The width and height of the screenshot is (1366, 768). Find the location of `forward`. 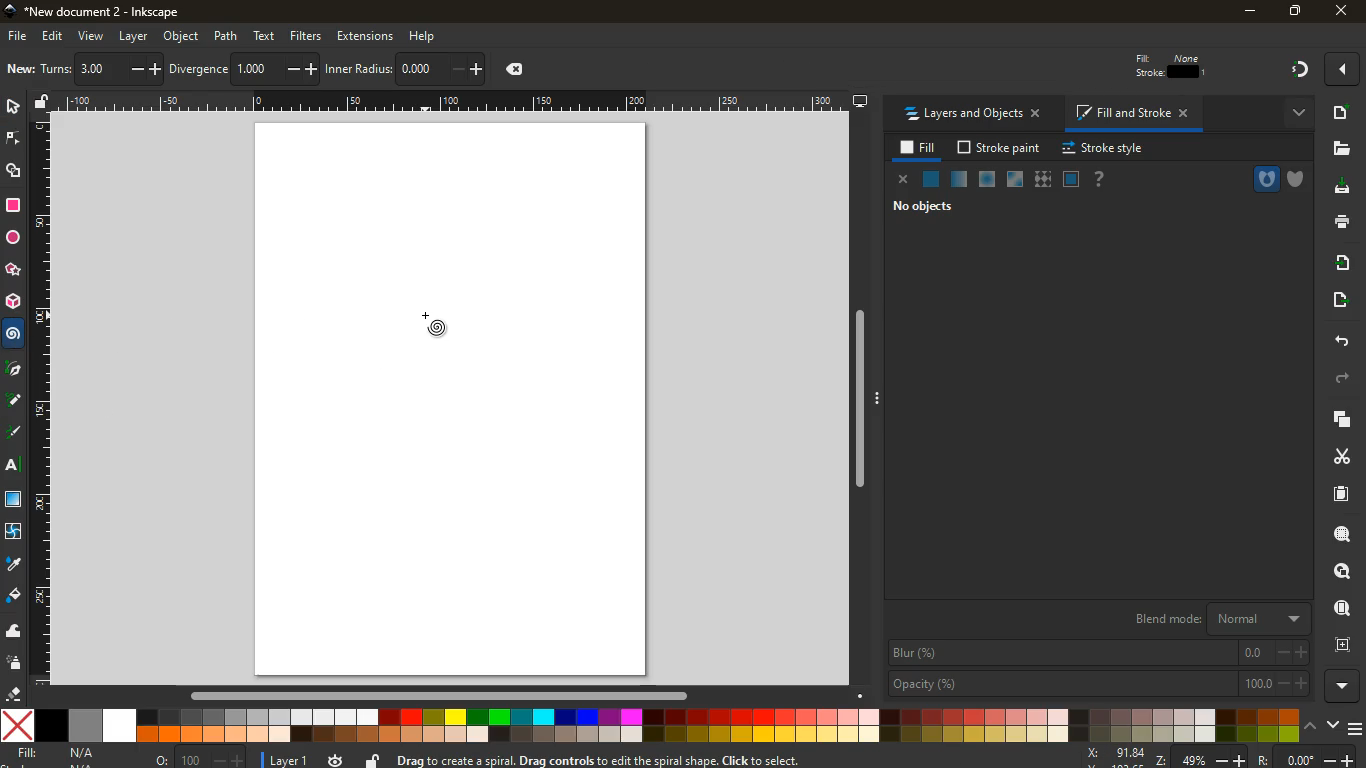

forward is located at coordinates (1347, 379).